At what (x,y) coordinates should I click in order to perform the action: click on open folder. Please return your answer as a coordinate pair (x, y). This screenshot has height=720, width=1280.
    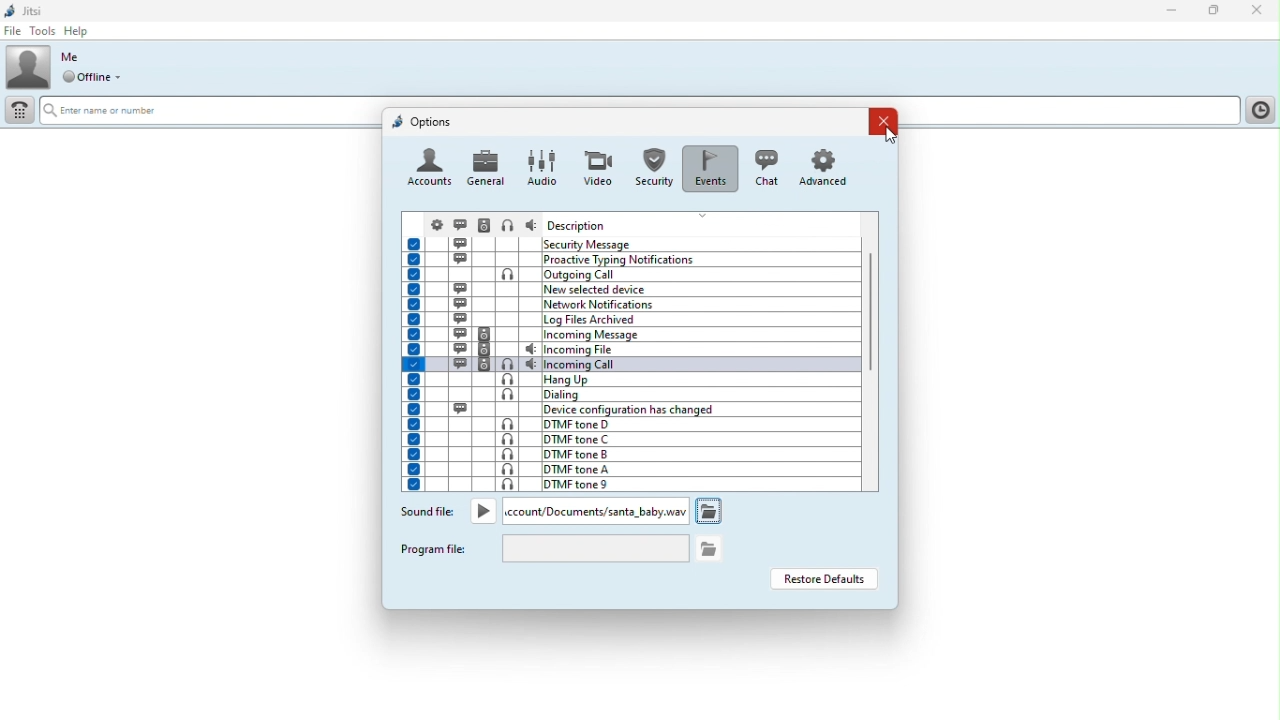
    Looking at the image, I should click on (709, 511).